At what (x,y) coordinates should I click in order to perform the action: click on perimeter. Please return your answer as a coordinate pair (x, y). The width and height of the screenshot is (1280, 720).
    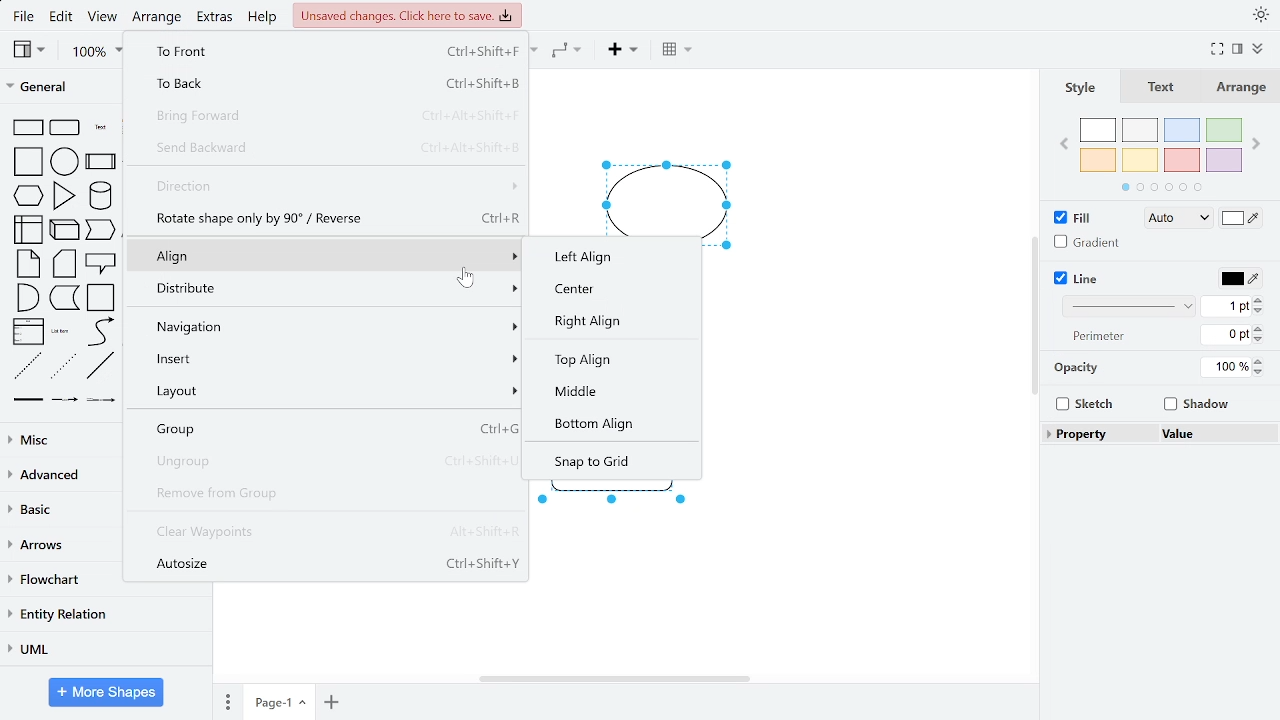
    Looking at the image, I should click on (1100, 337).